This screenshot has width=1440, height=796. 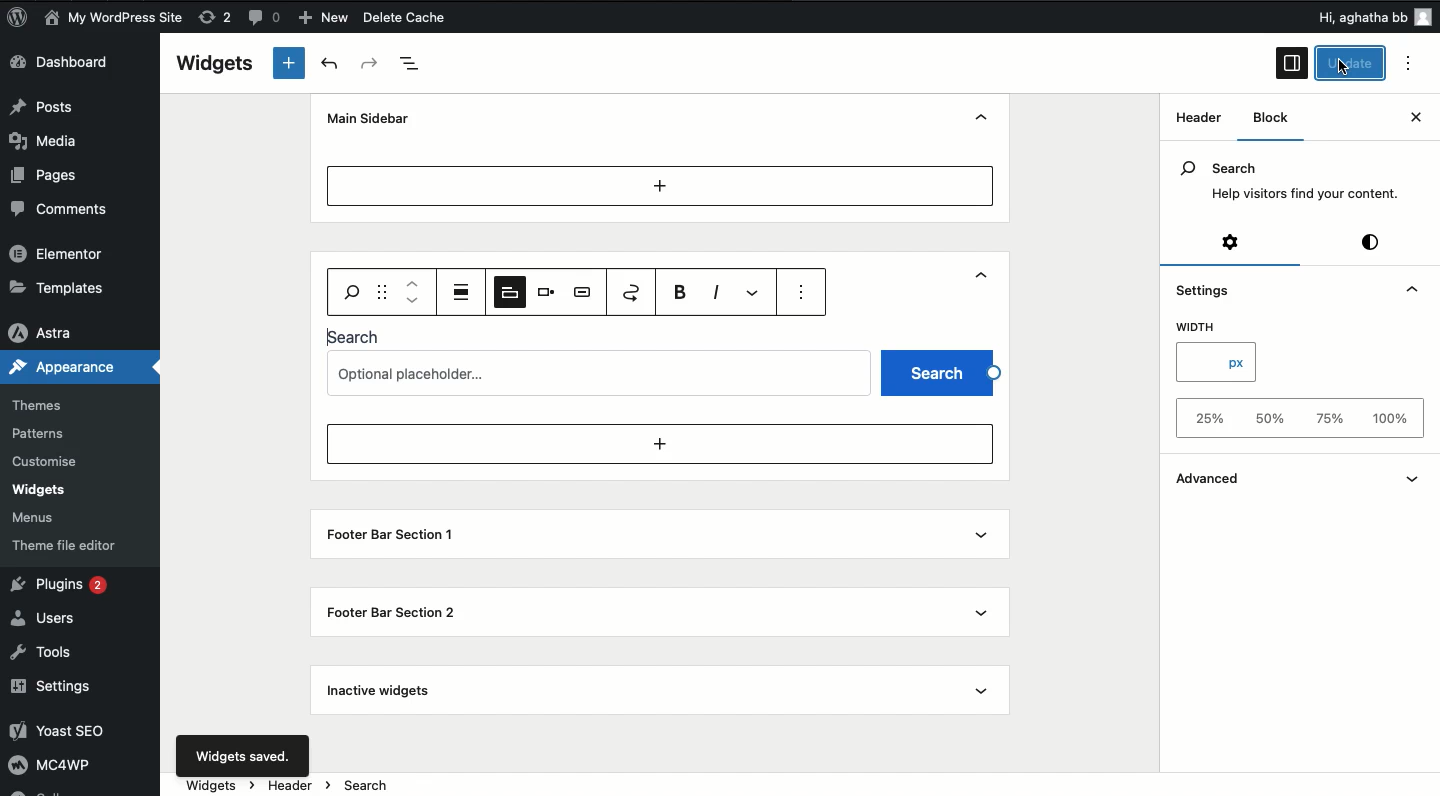 I want to click on Plugins 2, so click(x=68, y=587).